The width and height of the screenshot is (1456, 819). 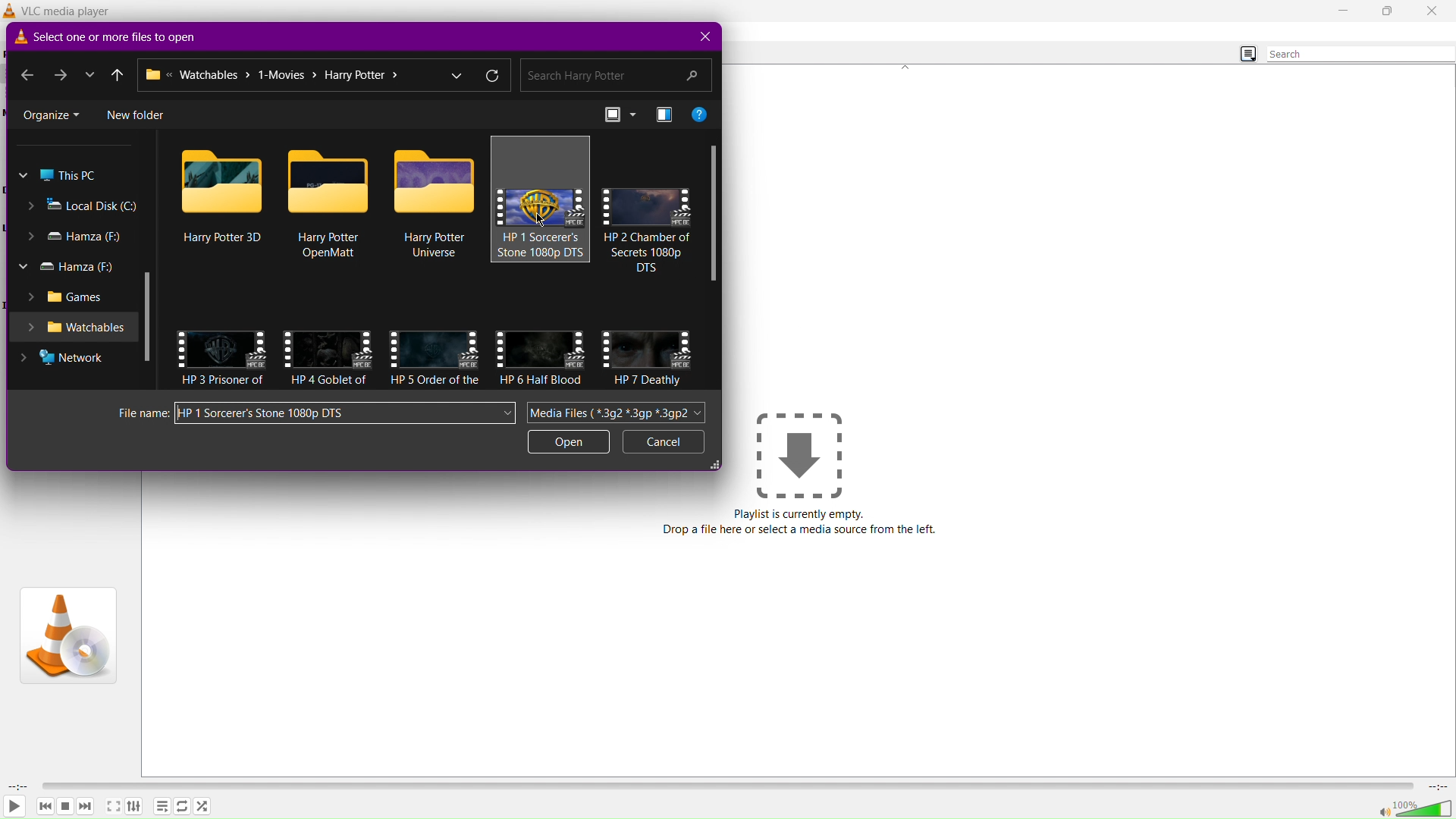 I want to click on video file, so click(x=435, y=183).